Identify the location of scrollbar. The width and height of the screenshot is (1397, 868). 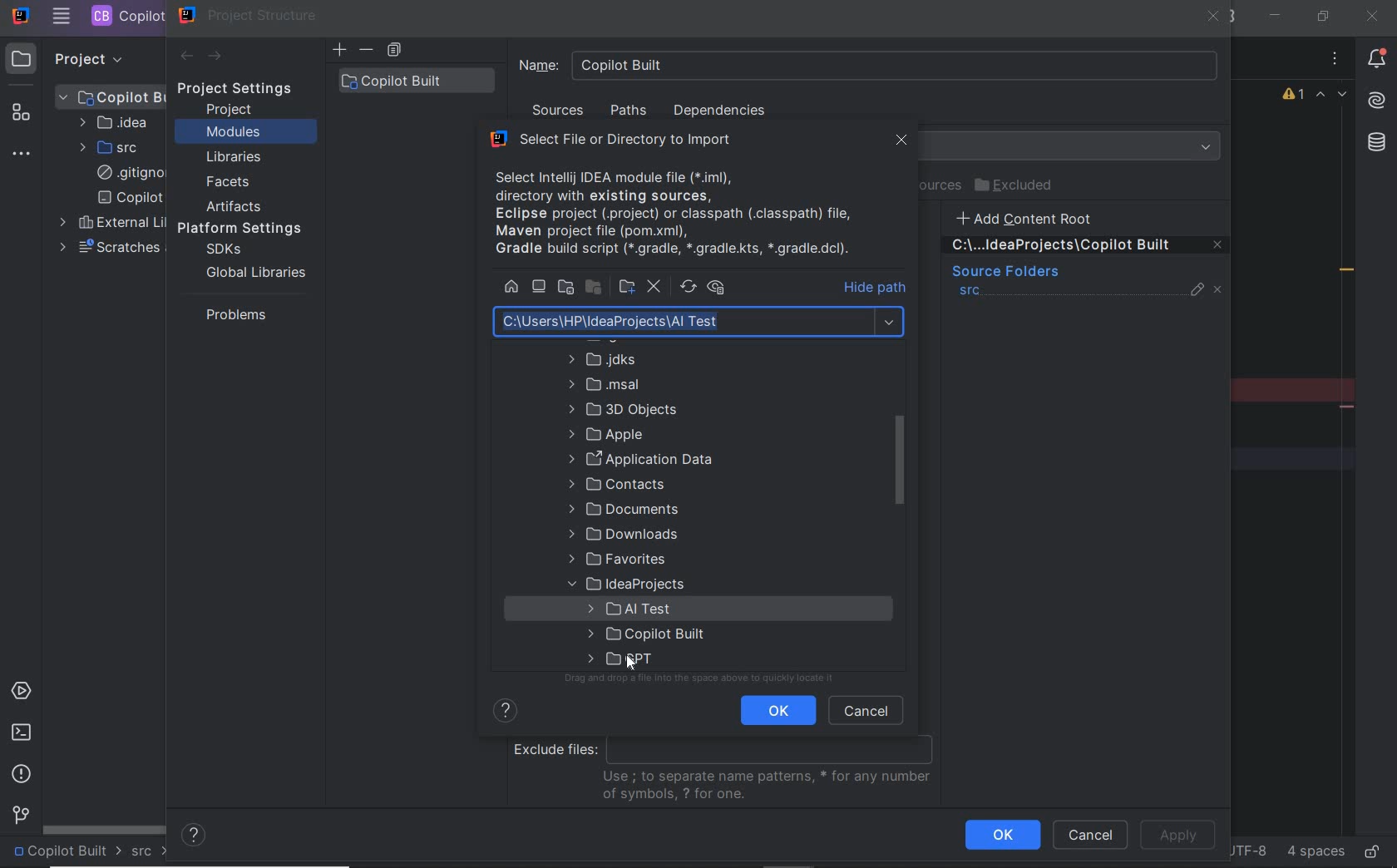
(105, 828).